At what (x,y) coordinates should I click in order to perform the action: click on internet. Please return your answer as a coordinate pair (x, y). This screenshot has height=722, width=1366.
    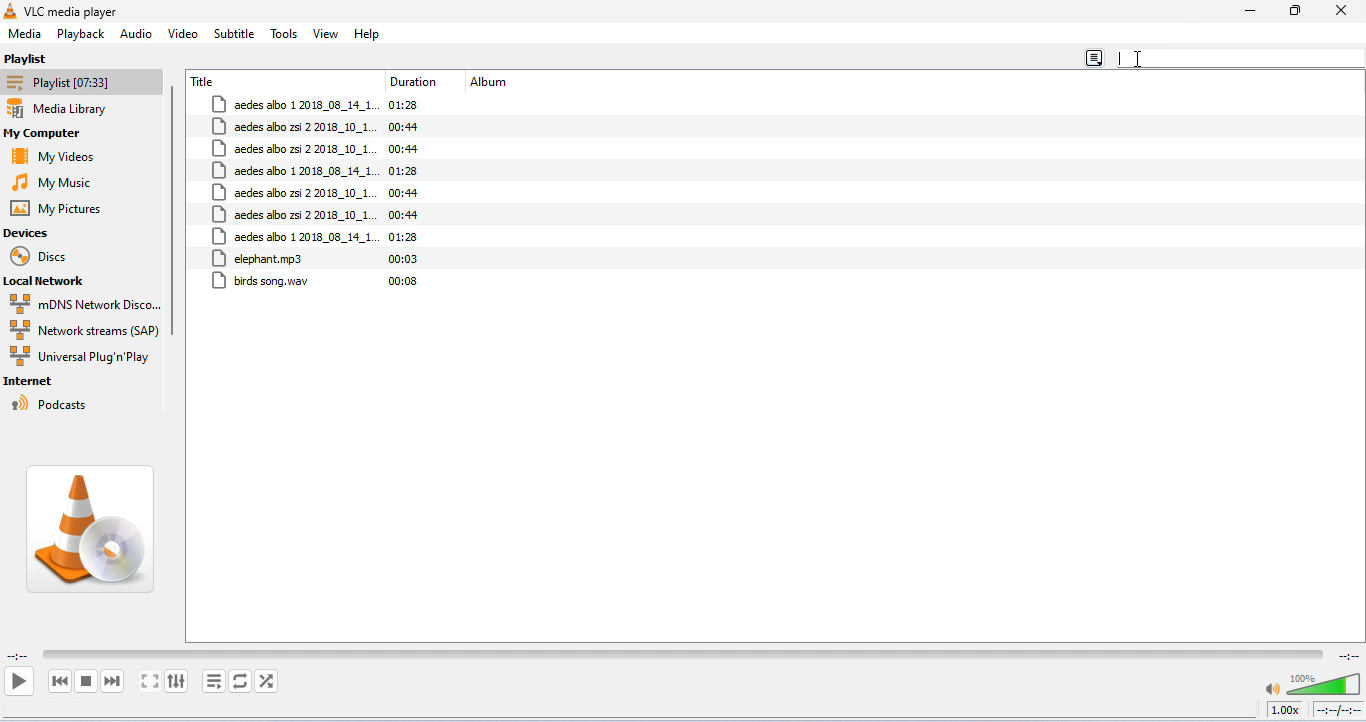
    Looking at the image, I should click on (33, 382).